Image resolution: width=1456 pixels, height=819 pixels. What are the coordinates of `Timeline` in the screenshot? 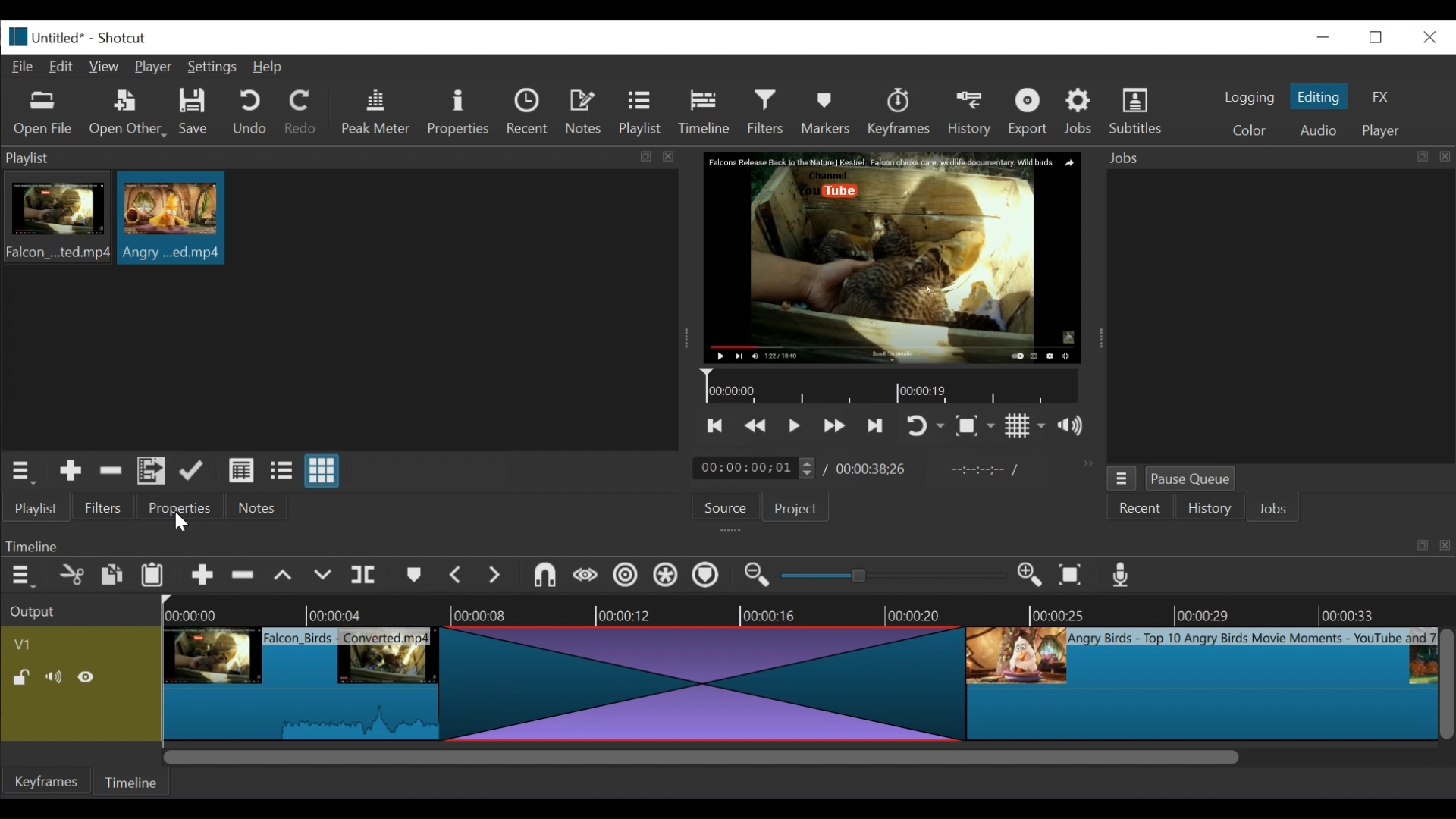 It's located at (808, 610).